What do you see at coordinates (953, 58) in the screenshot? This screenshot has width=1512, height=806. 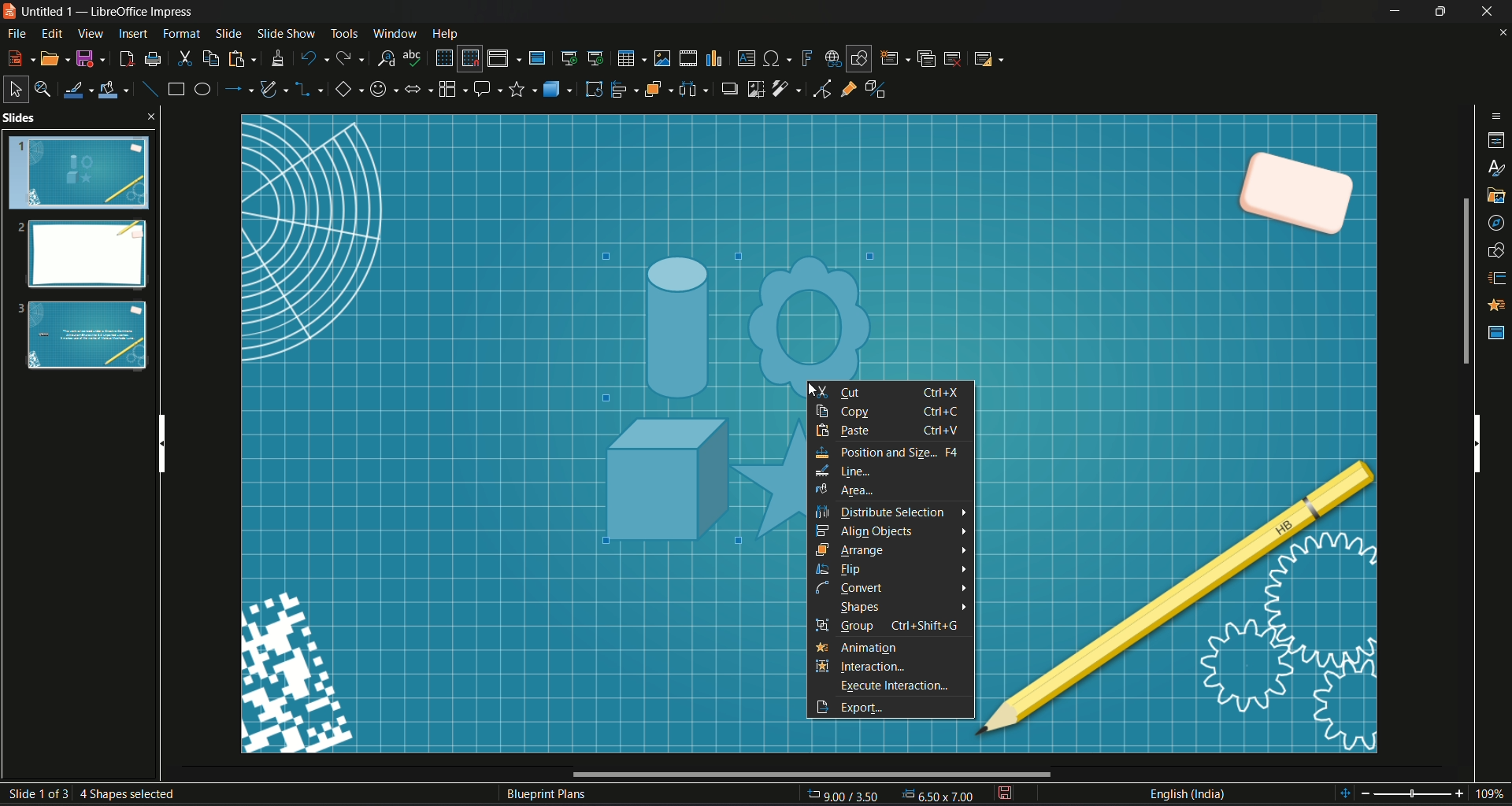 I see `delete slide` at bounding box center [953, 58].